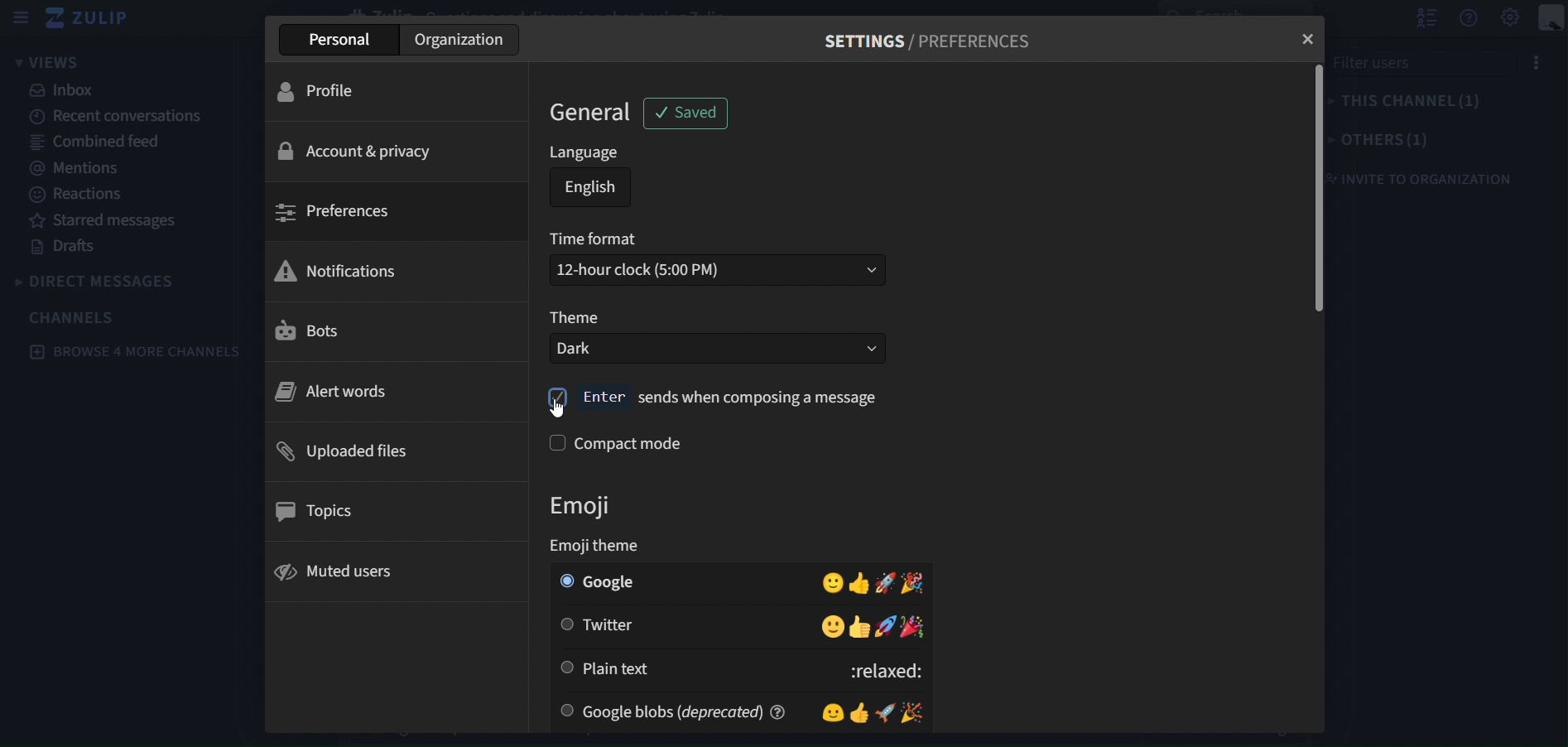 This screenshot has height=747, width=1568. I want to click on combined feed, so click(96, 144).